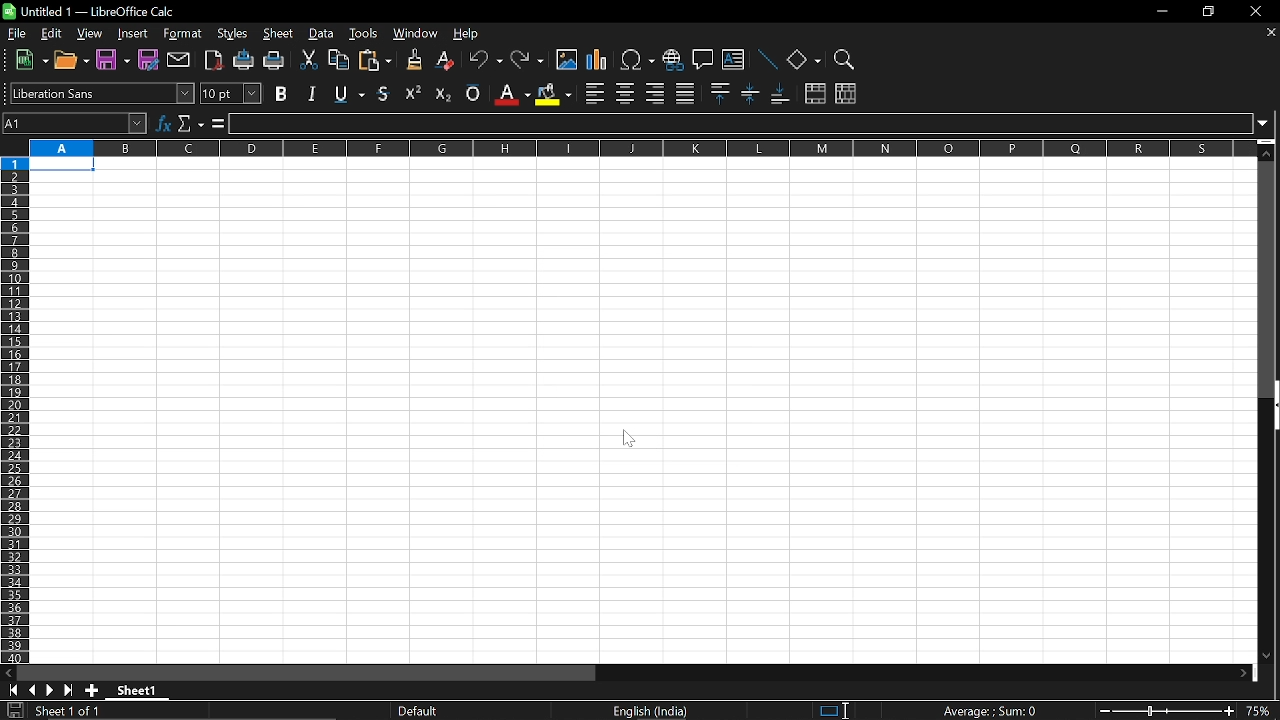 The height and width of the screenshot is (720, 1280). Describe the element at coordinates (364, 33) in the screenshot. I see `tools` at that location.